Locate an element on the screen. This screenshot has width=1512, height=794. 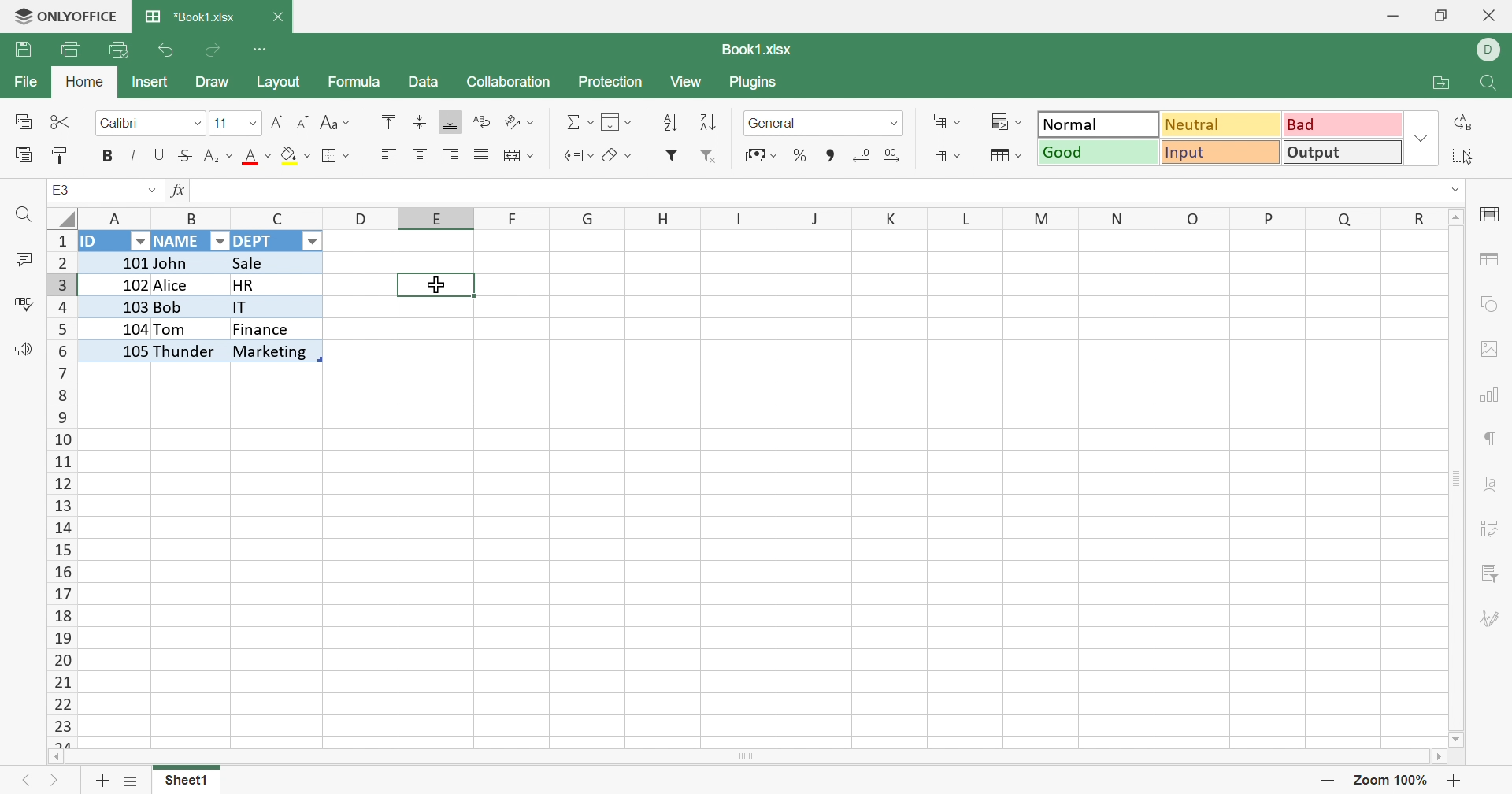
Orientation is located at coordinates (517, 121).